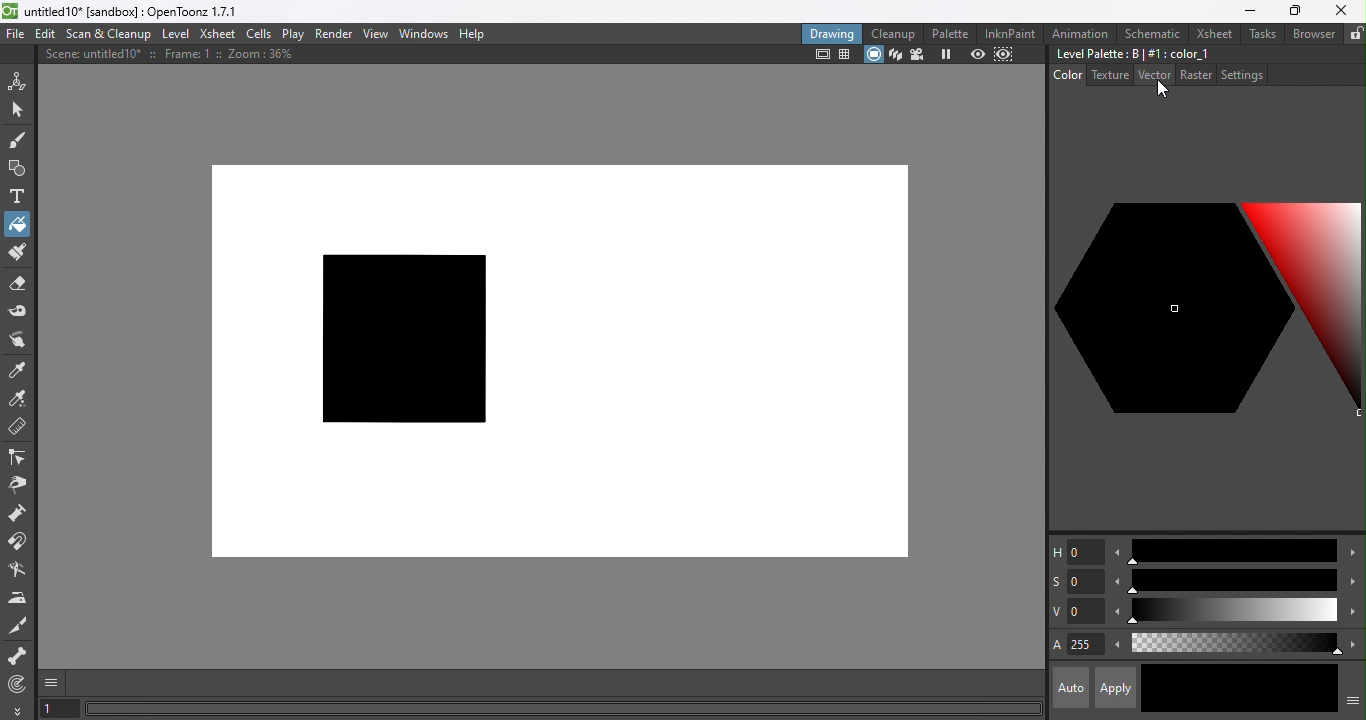  What do you see at coordinates (20, 80) in the screenshot?
I see `Animate tool` at bounding box center [20, 80].